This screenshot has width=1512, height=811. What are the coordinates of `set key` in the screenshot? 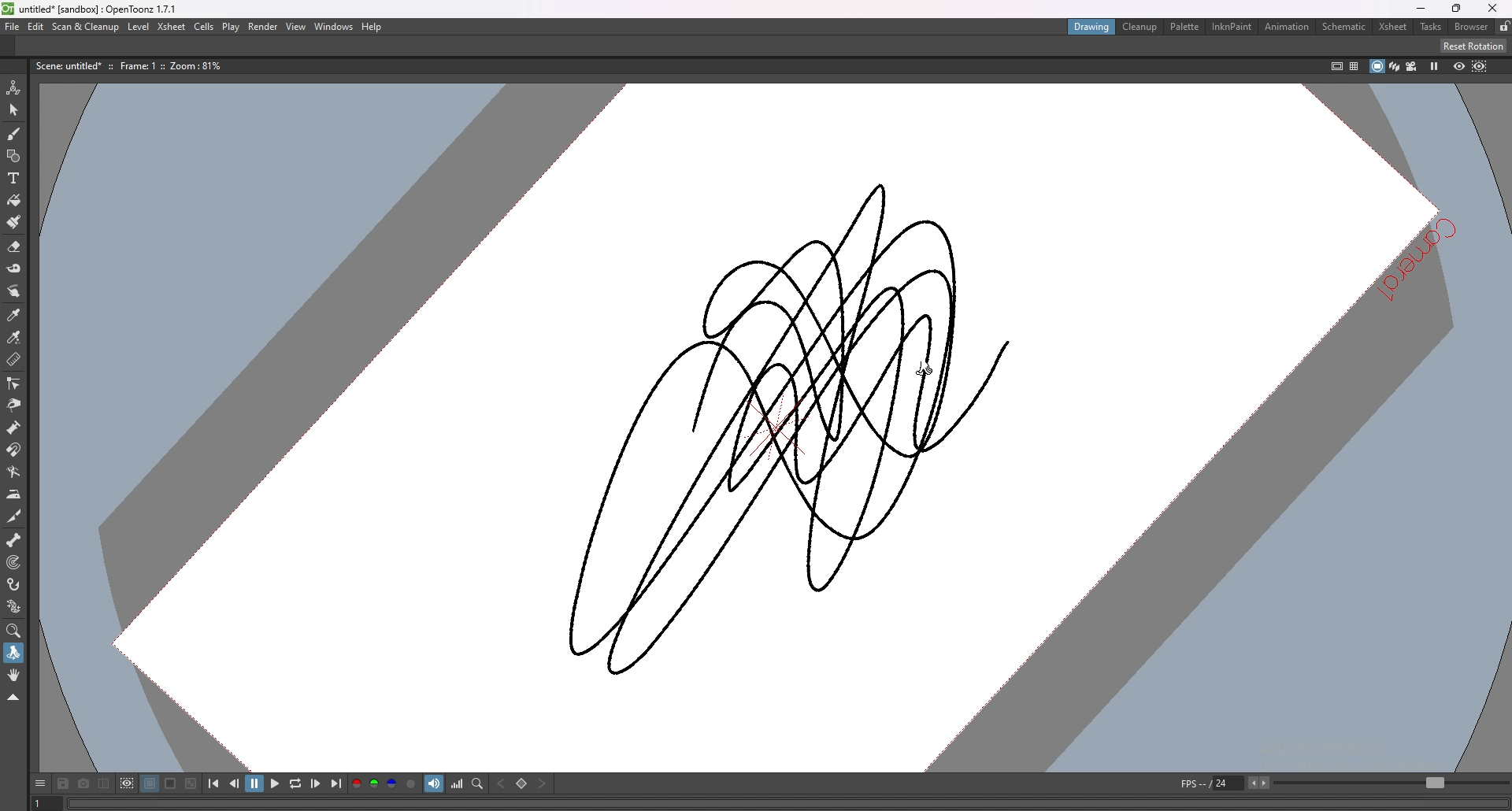 It's located at (521, 783).